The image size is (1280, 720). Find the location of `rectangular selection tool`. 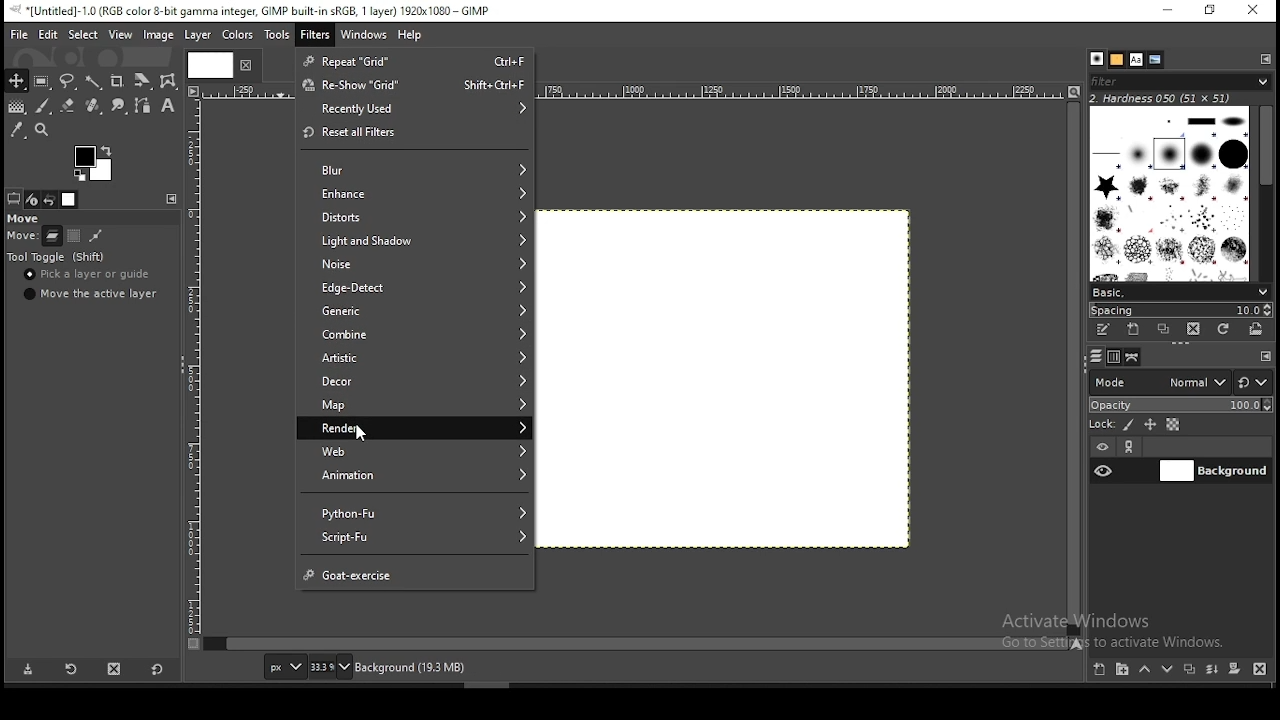

rectangular selection tool is located at coordinates (43, 82).